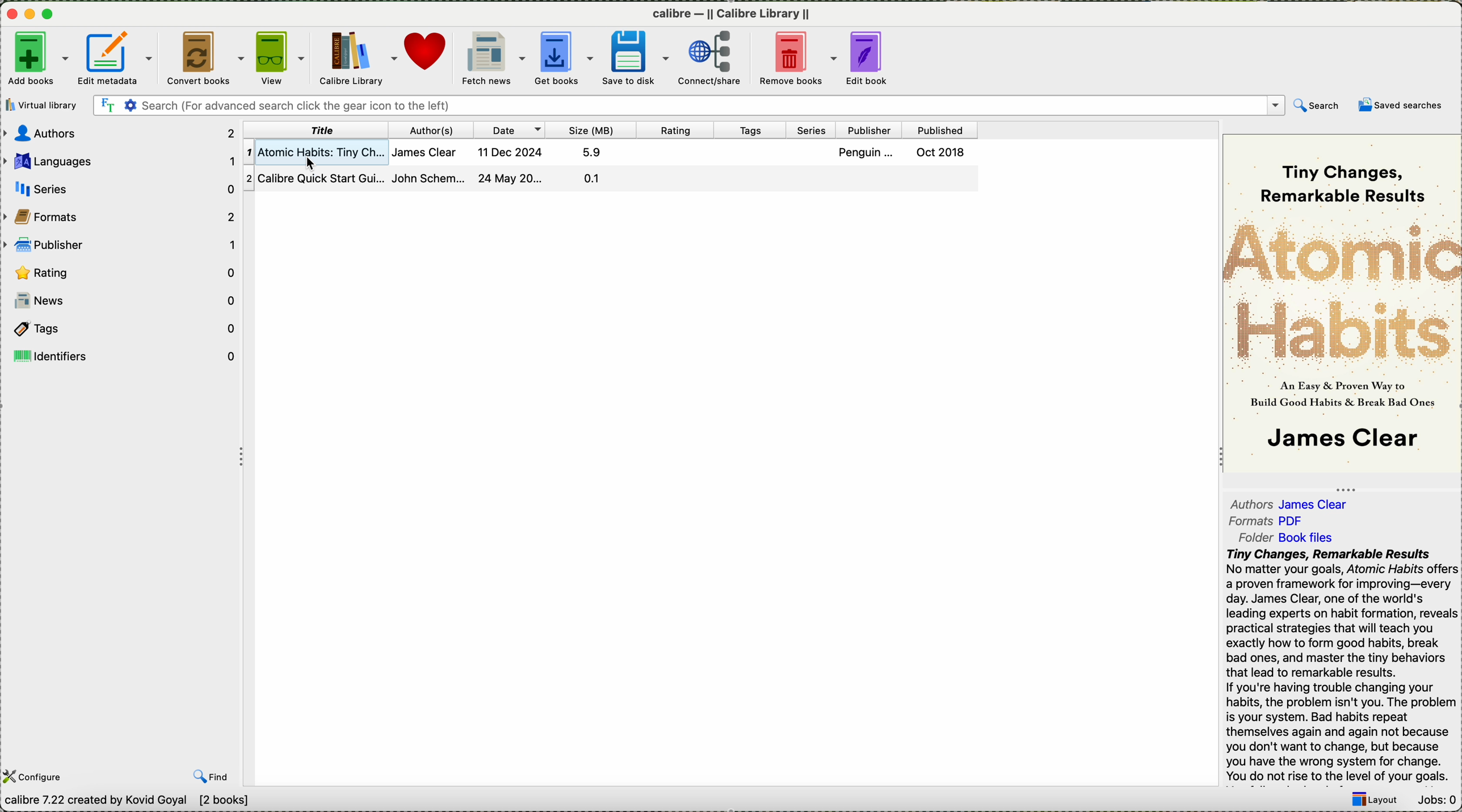 The width and height of the screenshot is (1462, 812). What do you see at coordinates (869, 129) in the screenshot?
I see `publisher` at bounding box center [869, 129].